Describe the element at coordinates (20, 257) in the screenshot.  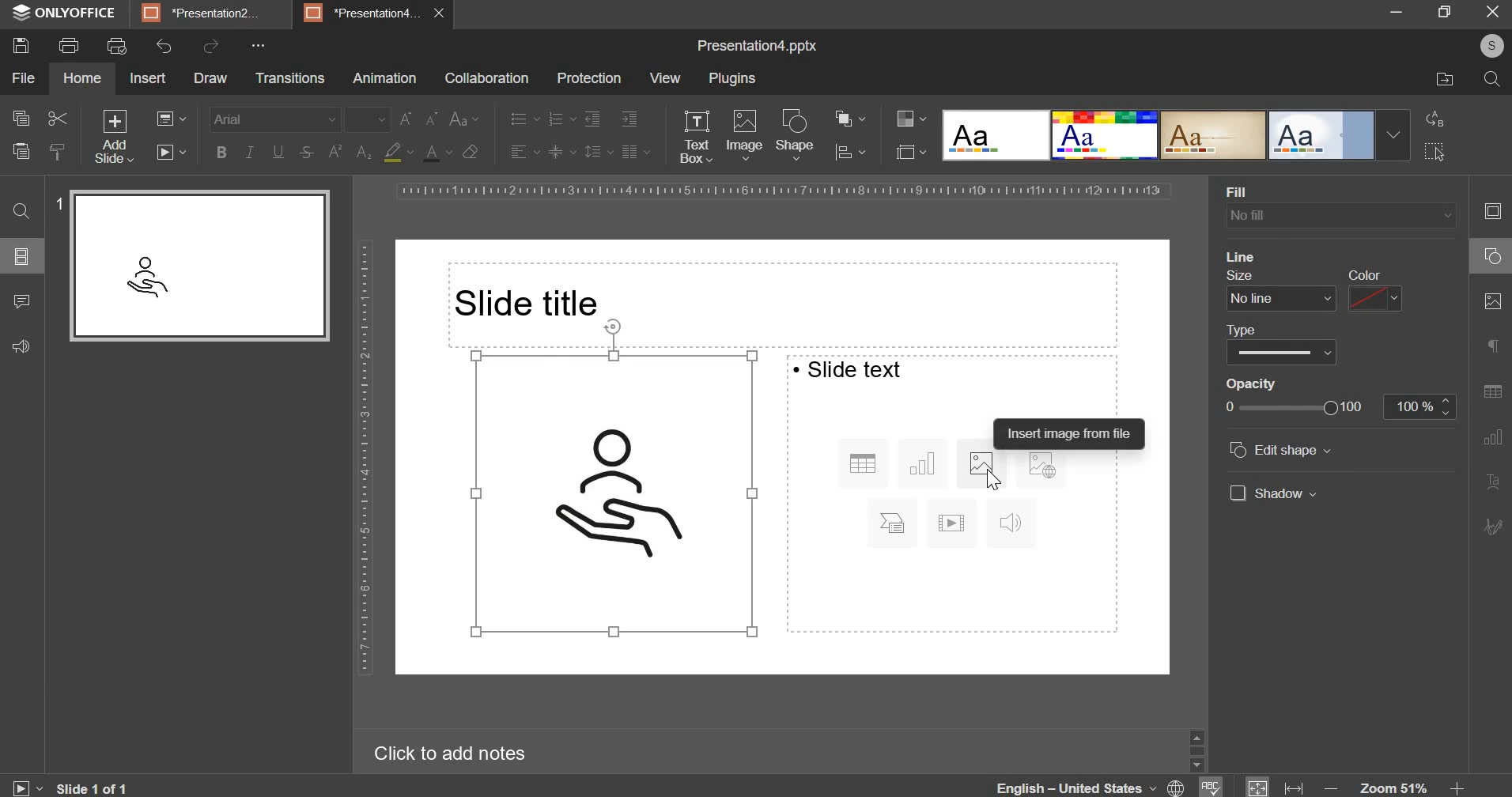
I see `slides` at that location.